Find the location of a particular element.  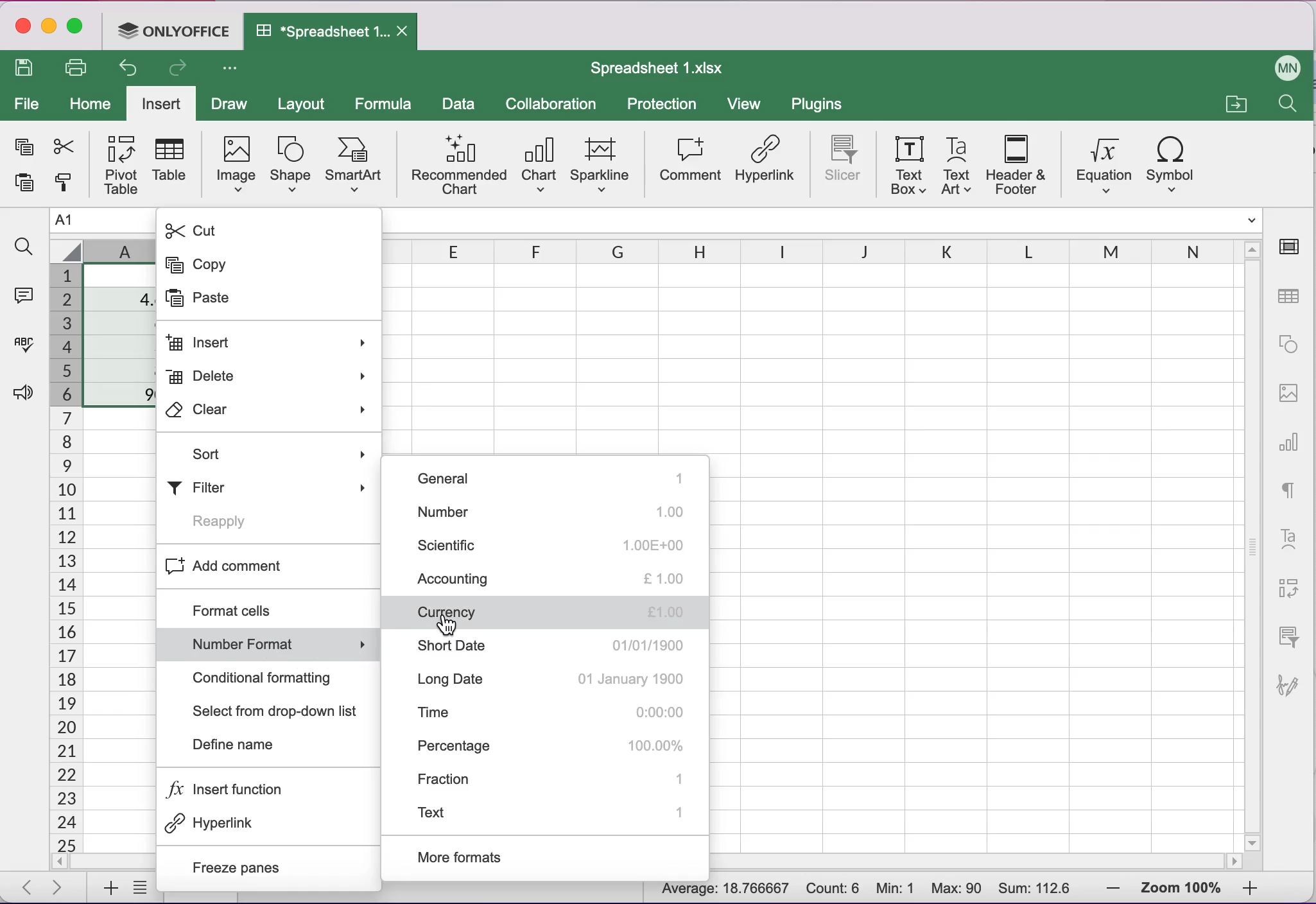

open a file location is located at coordinates (1239, 105).